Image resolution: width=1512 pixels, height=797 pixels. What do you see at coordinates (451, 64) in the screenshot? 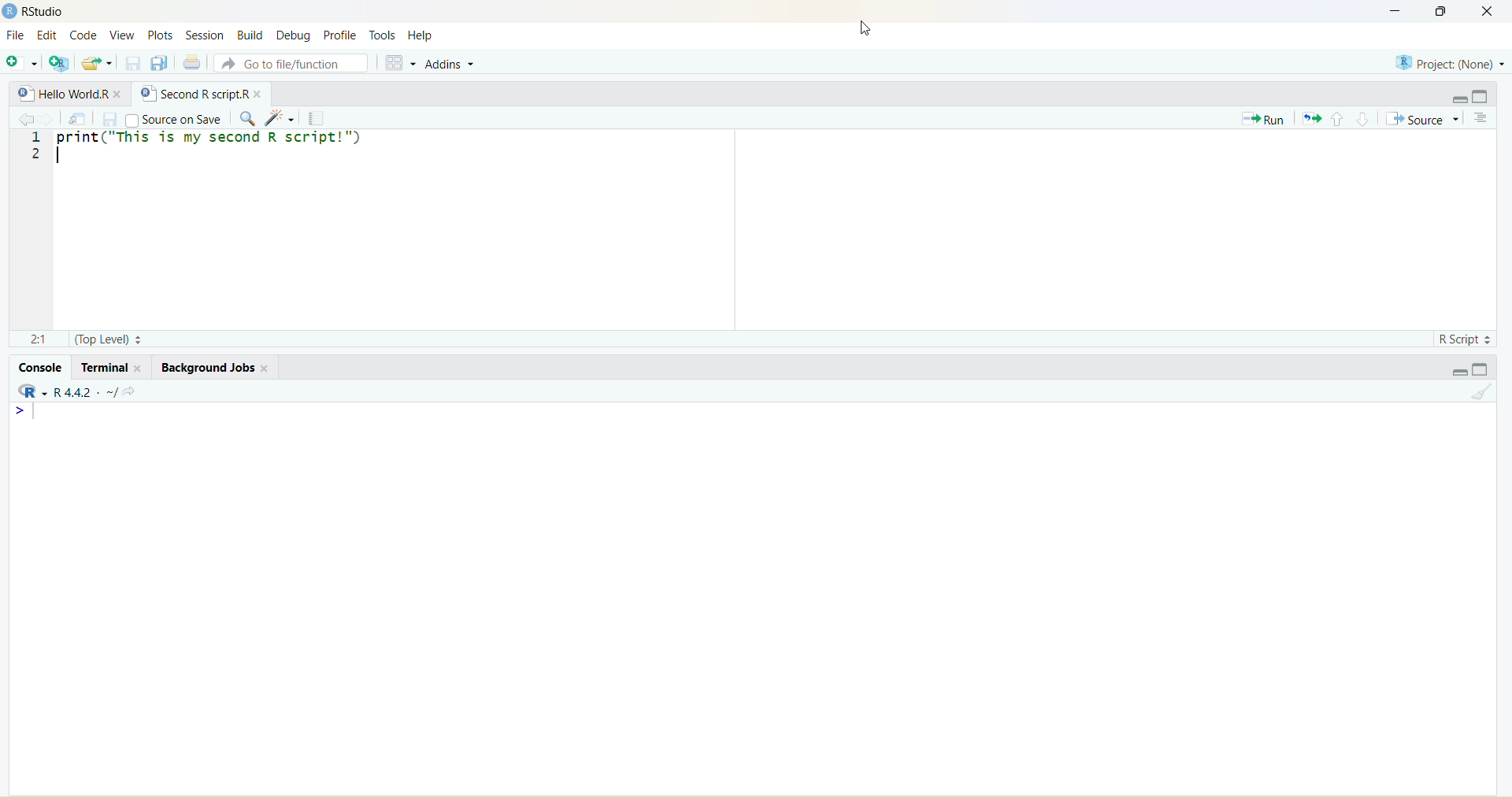
I see `Addins` at bounding box center [451, 64].